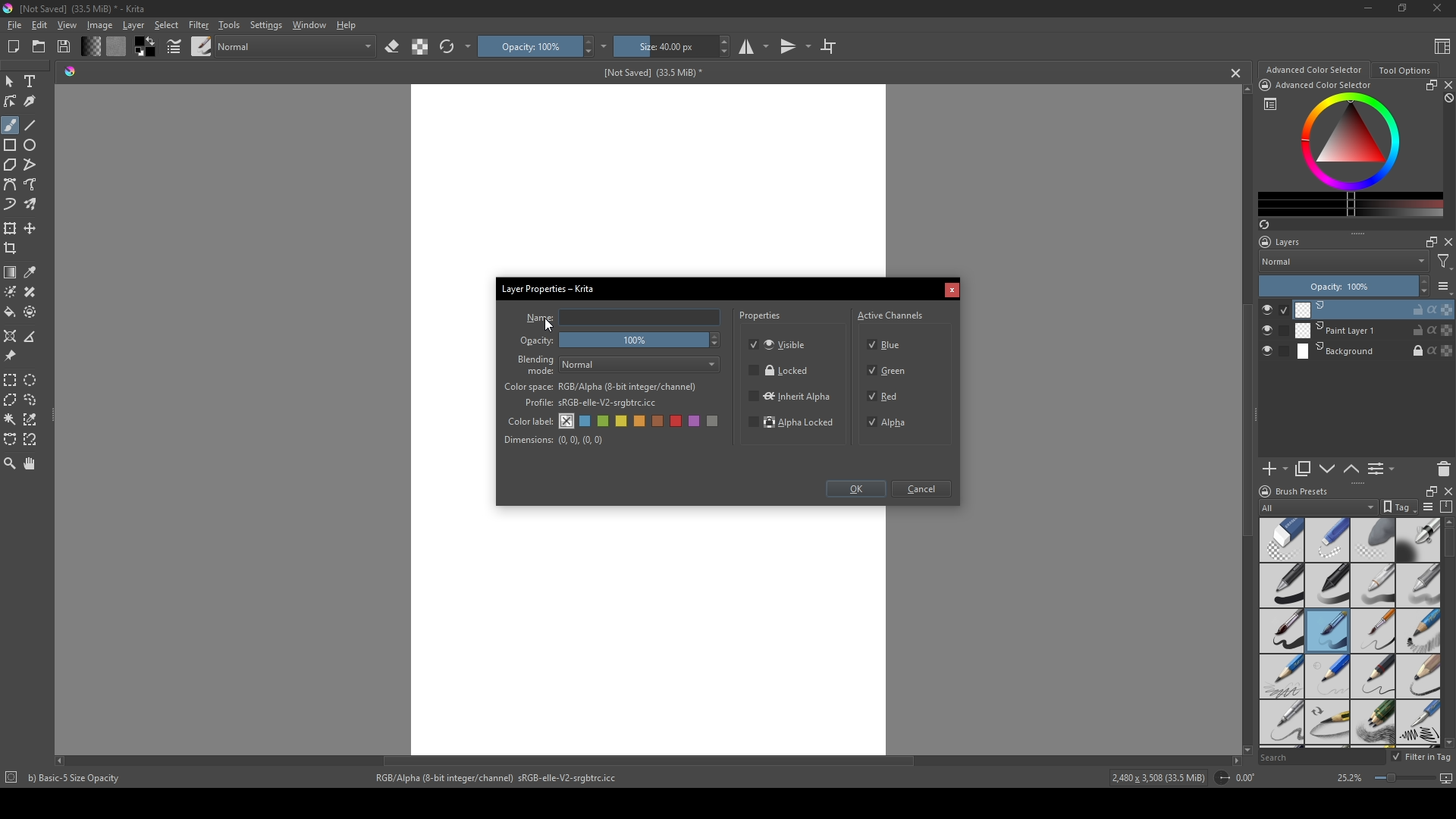 This screenshot has height=819, width=1456. Describe the element at coordinates (1274, 352) in the screenshot. I see `check button` at that location.